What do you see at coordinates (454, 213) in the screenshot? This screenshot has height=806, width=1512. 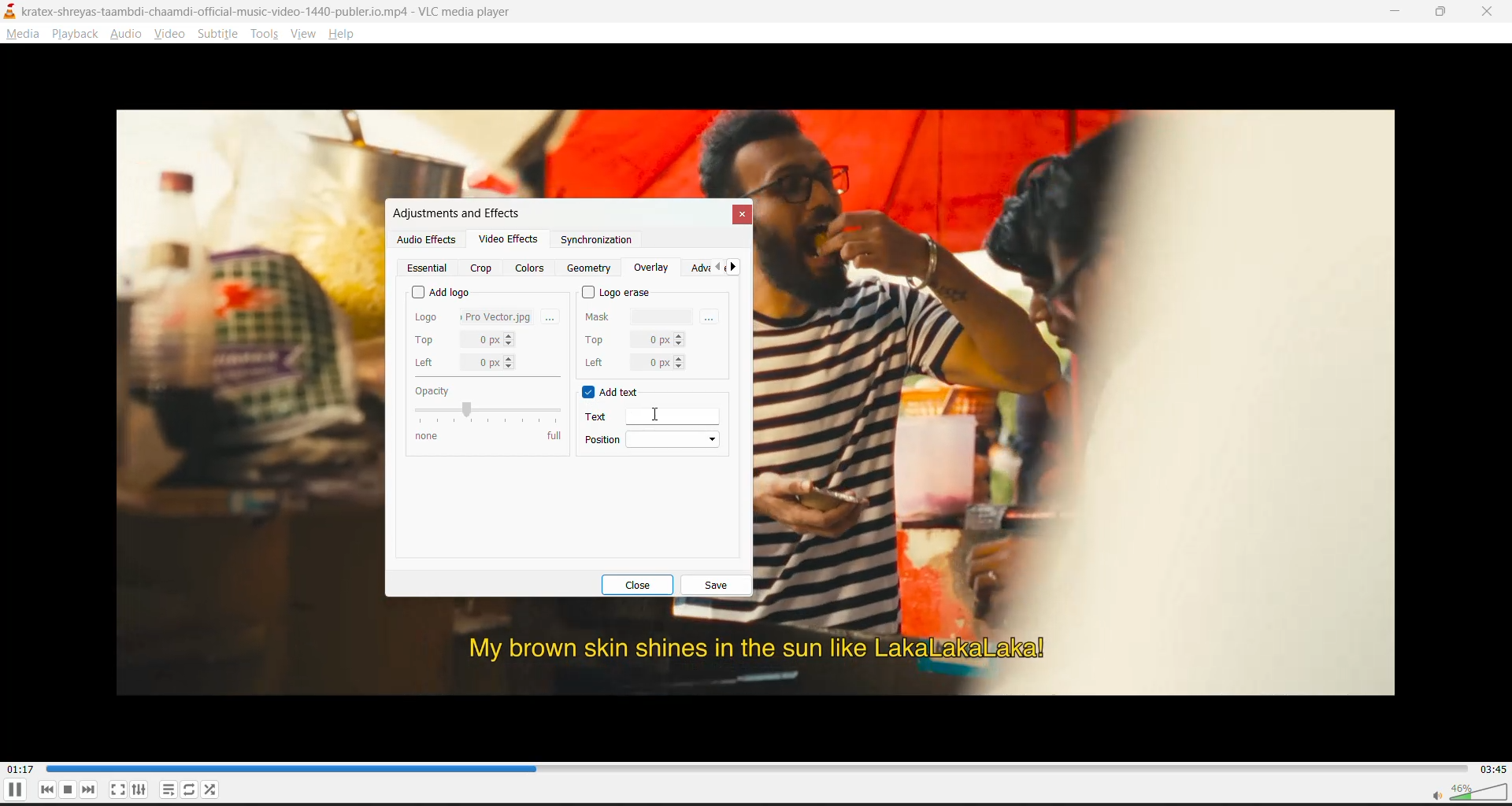 I see `adjustments and effects` at bounding box center [454, 213].